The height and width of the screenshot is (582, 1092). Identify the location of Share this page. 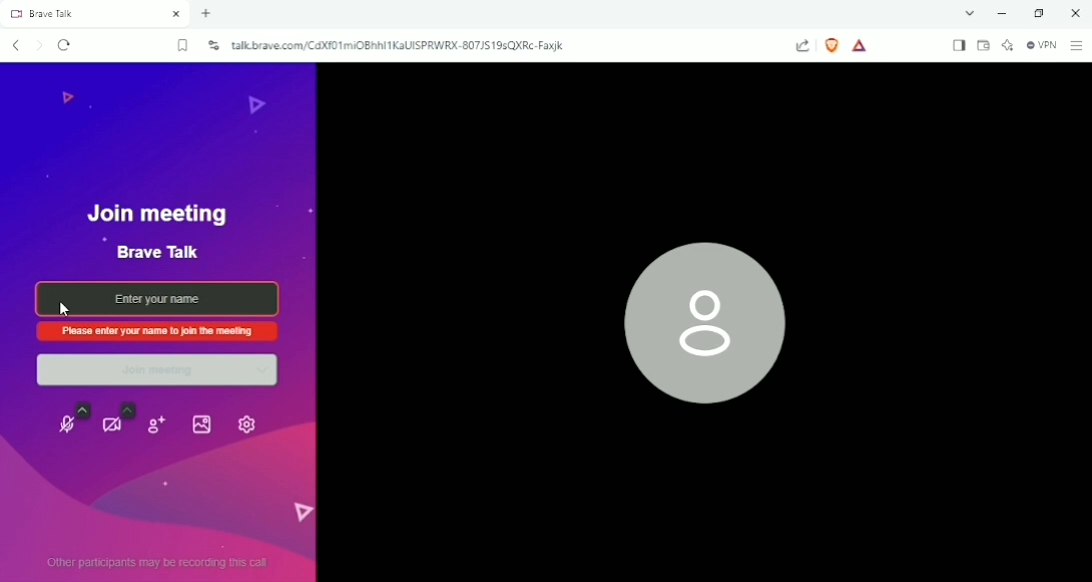
(803, 45).